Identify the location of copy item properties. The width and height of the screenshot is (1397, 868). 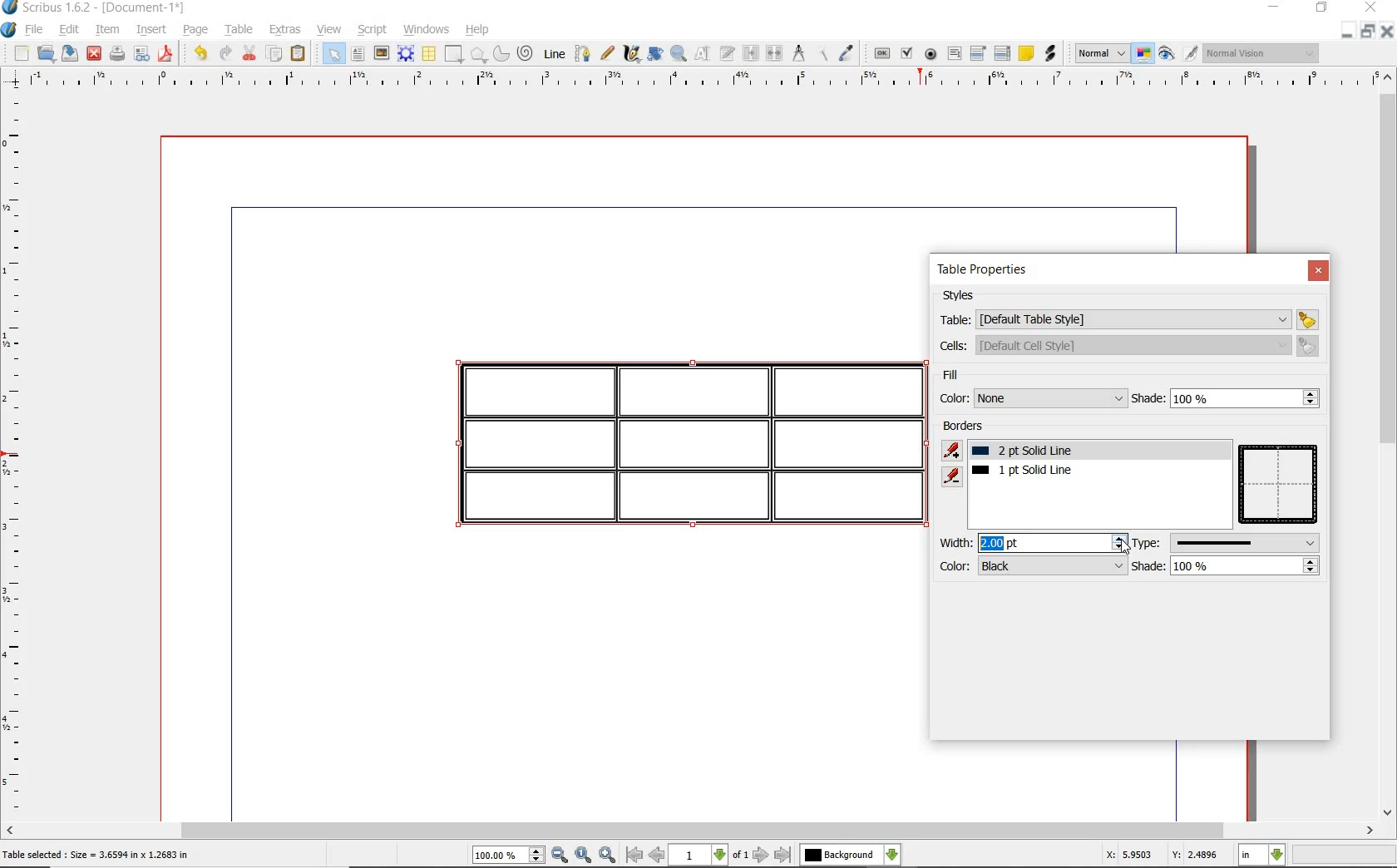
(827, 53).